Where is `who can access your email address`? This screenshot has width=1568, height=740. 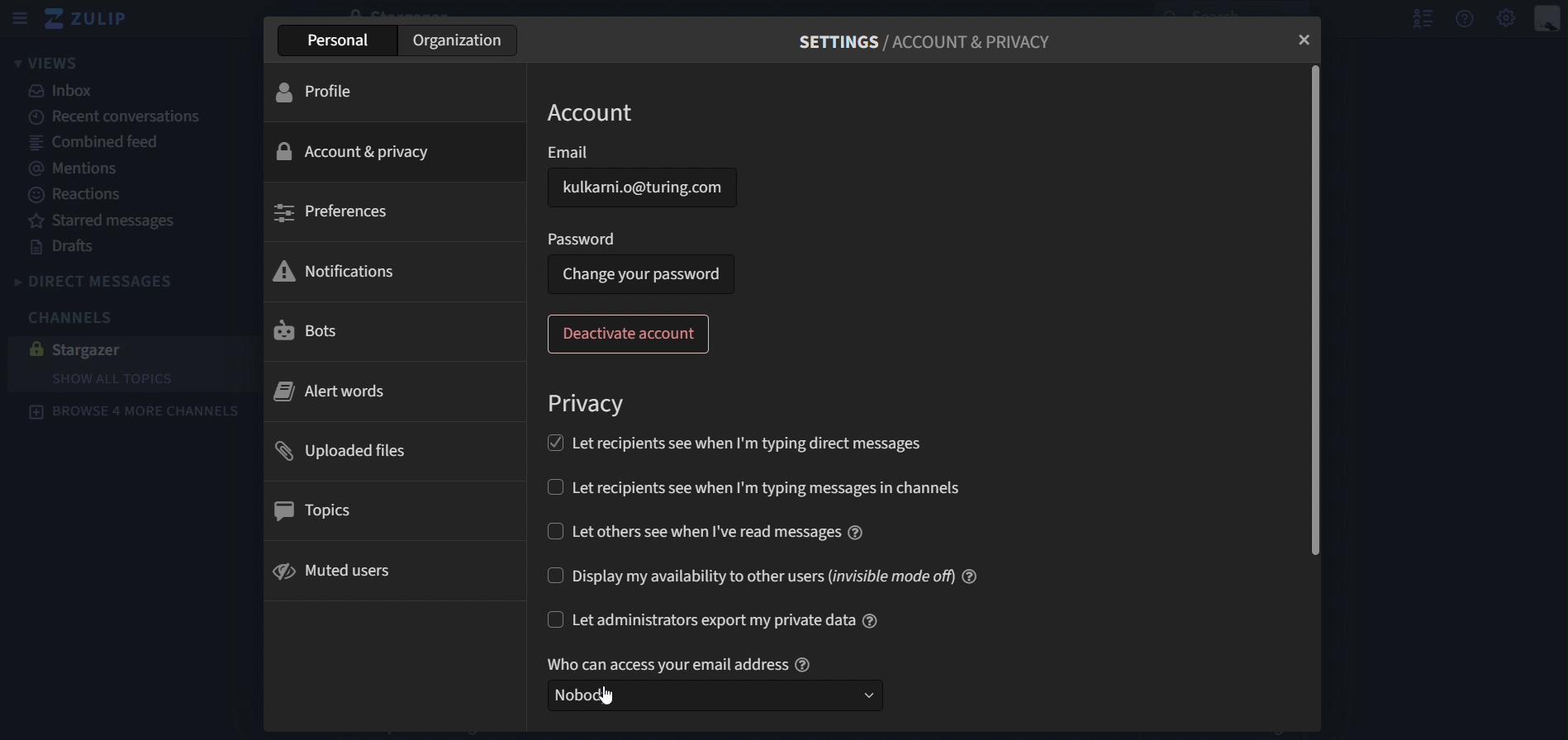
who can access your email address is located at coordinates (678, 664).